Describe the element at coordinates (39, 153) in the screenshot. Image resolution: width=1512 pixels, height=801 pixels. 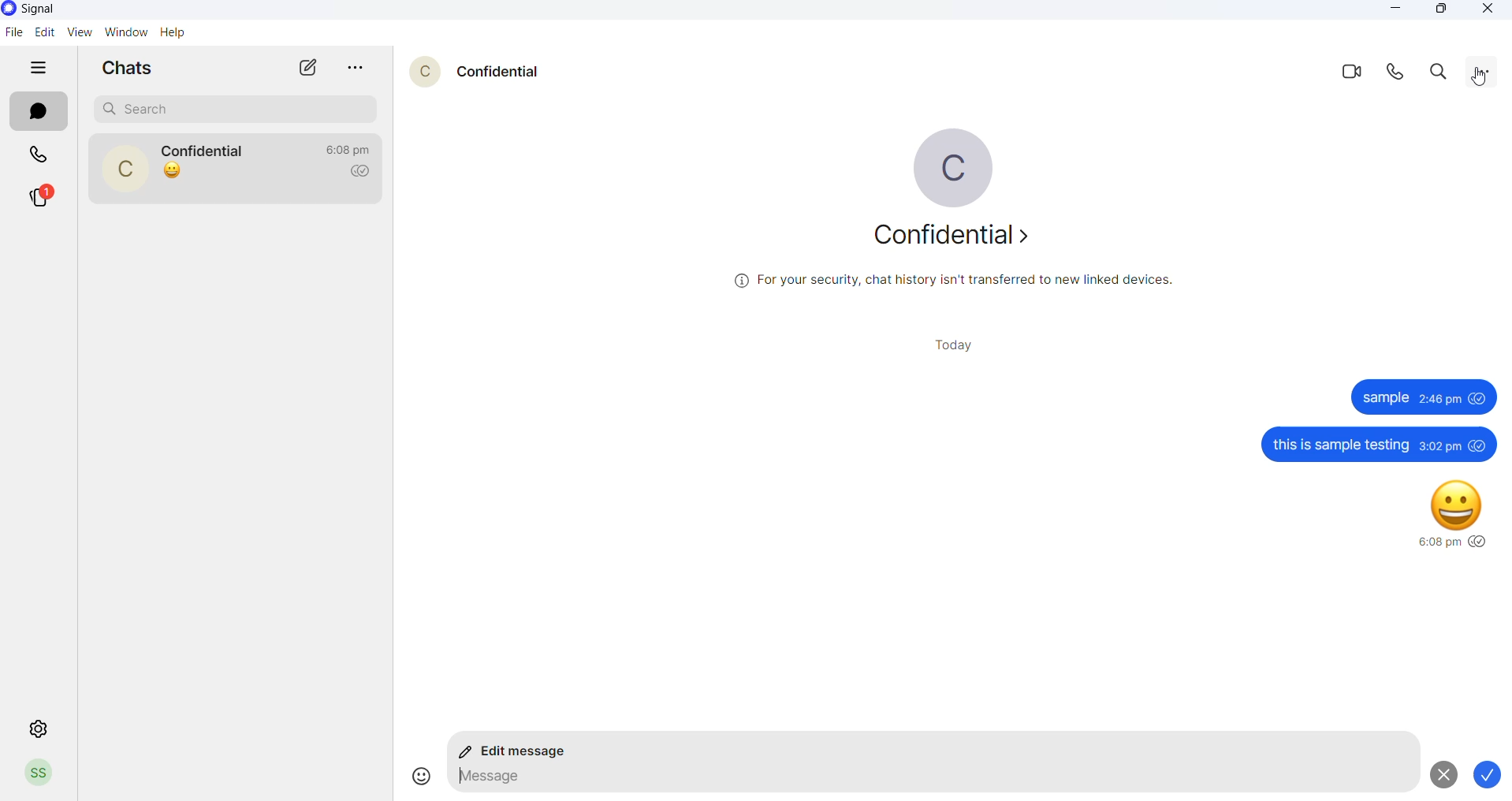
I see `calls` at that location.